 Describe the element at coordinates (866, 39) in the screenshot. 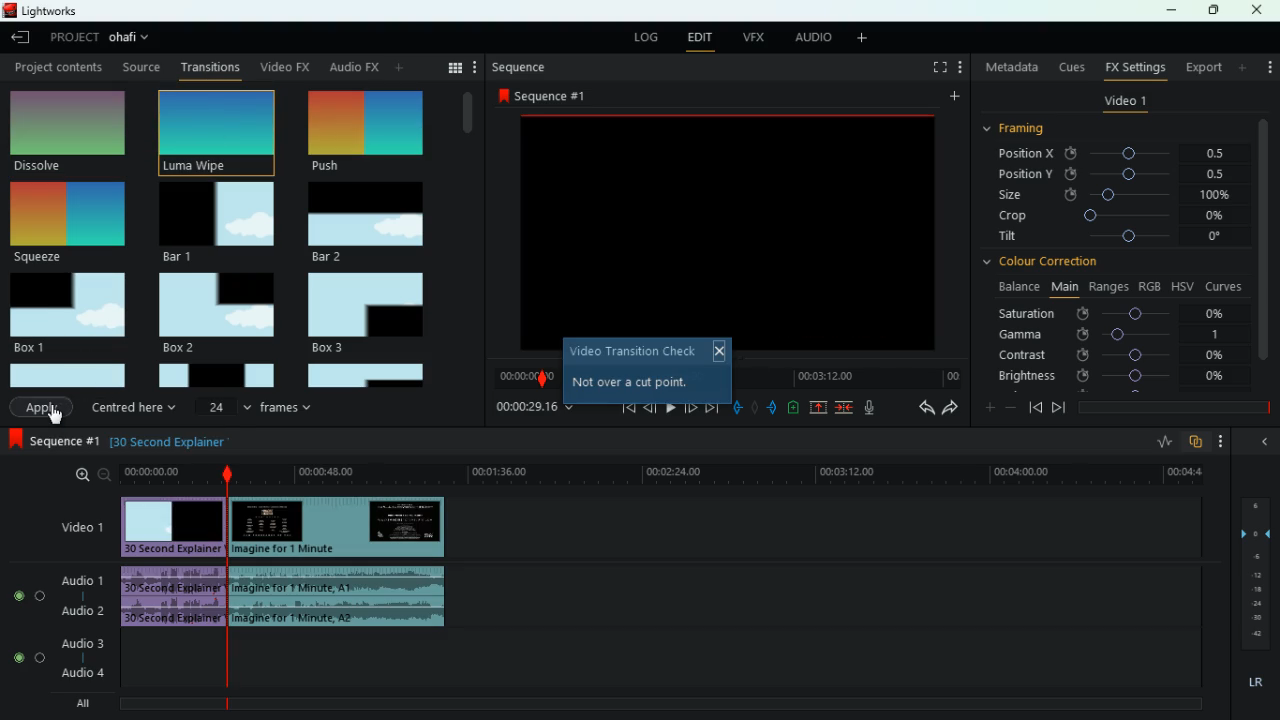

I see `more` at that location.